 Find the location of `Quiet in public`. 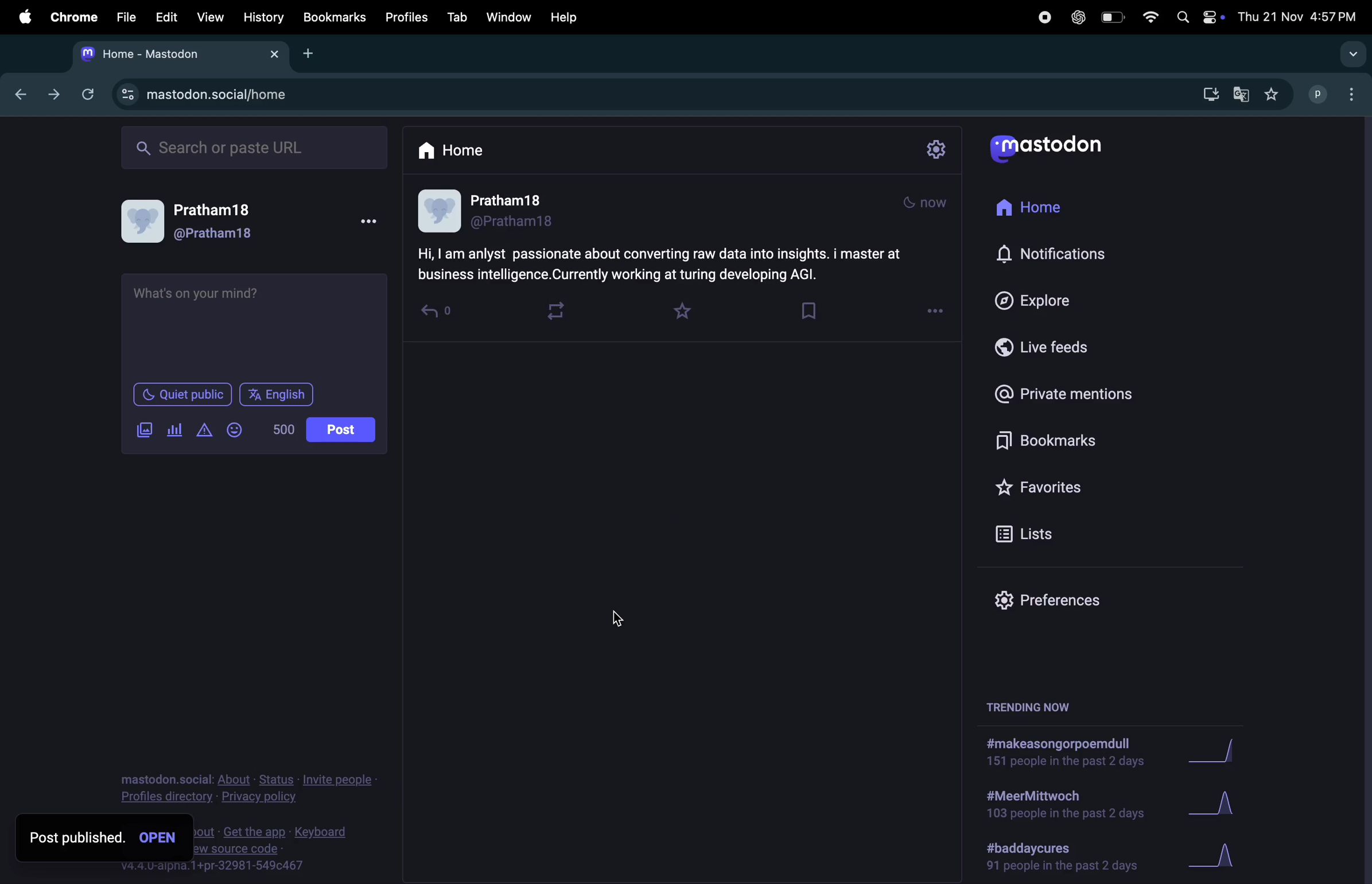

Quiet in public is located at coordinates (182, 396).